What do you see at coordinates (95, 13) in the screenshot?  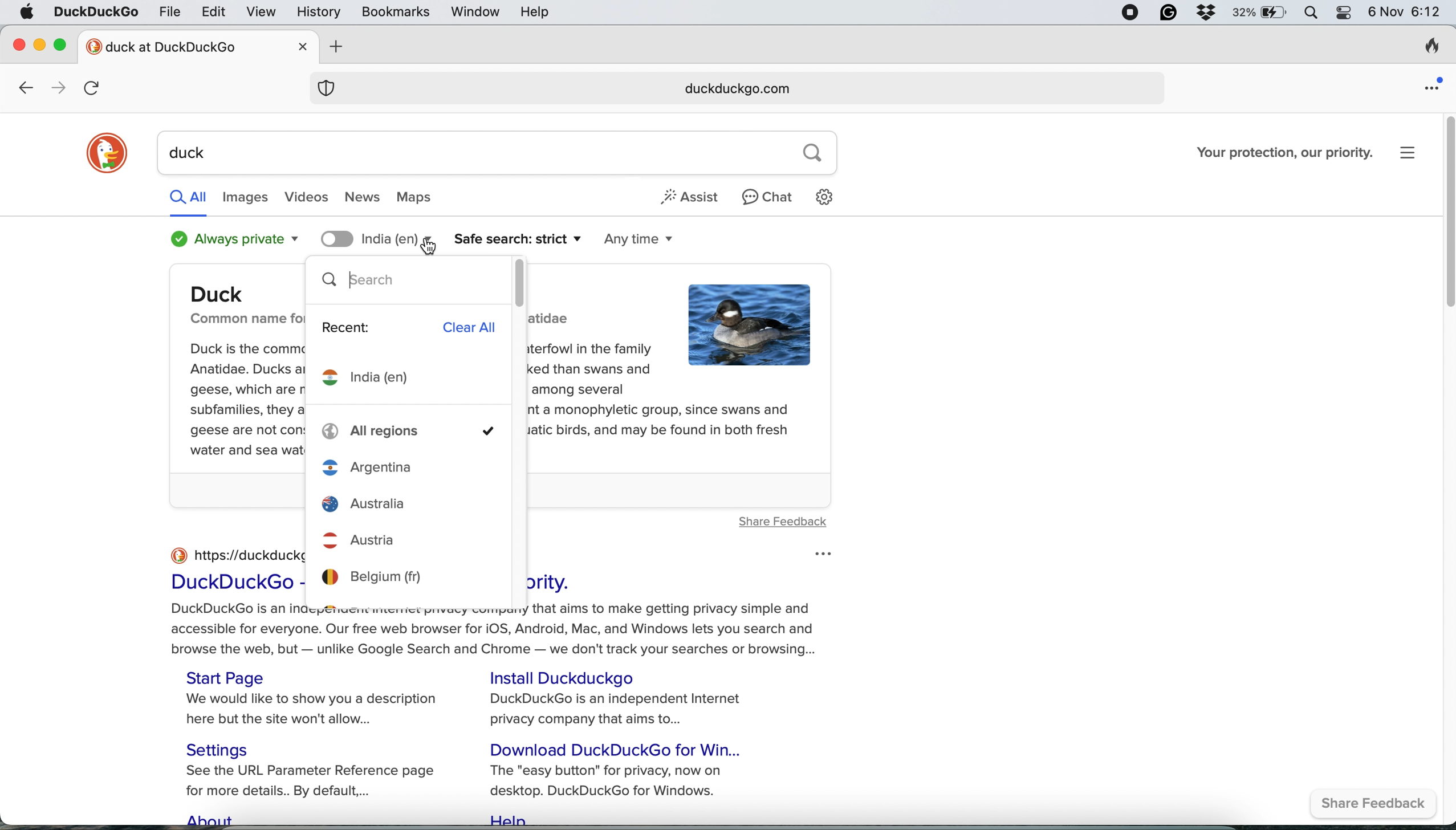 I see `duckduckgo` at bounding box center [95, 13].